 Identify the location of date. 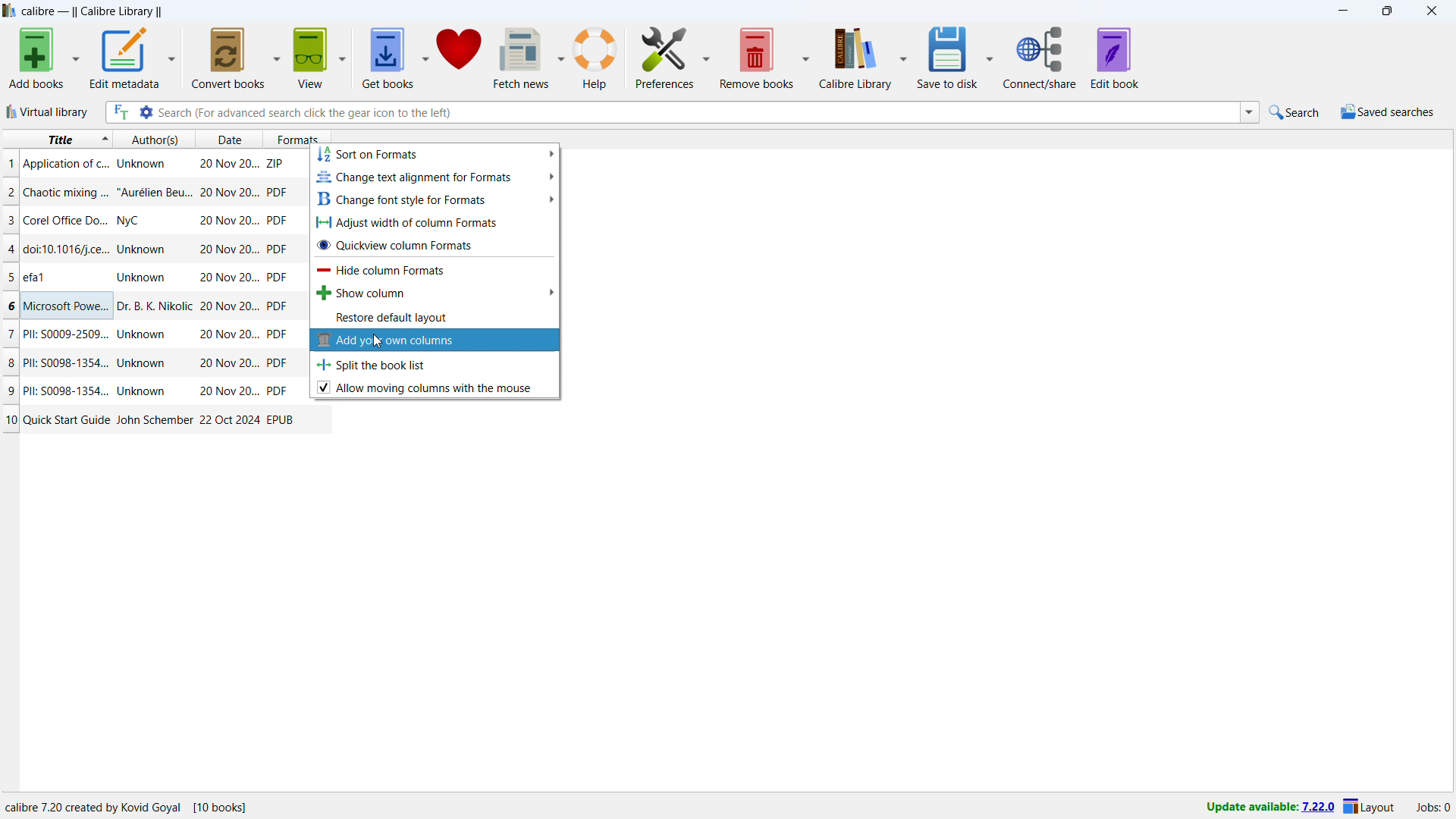
(230, 363).